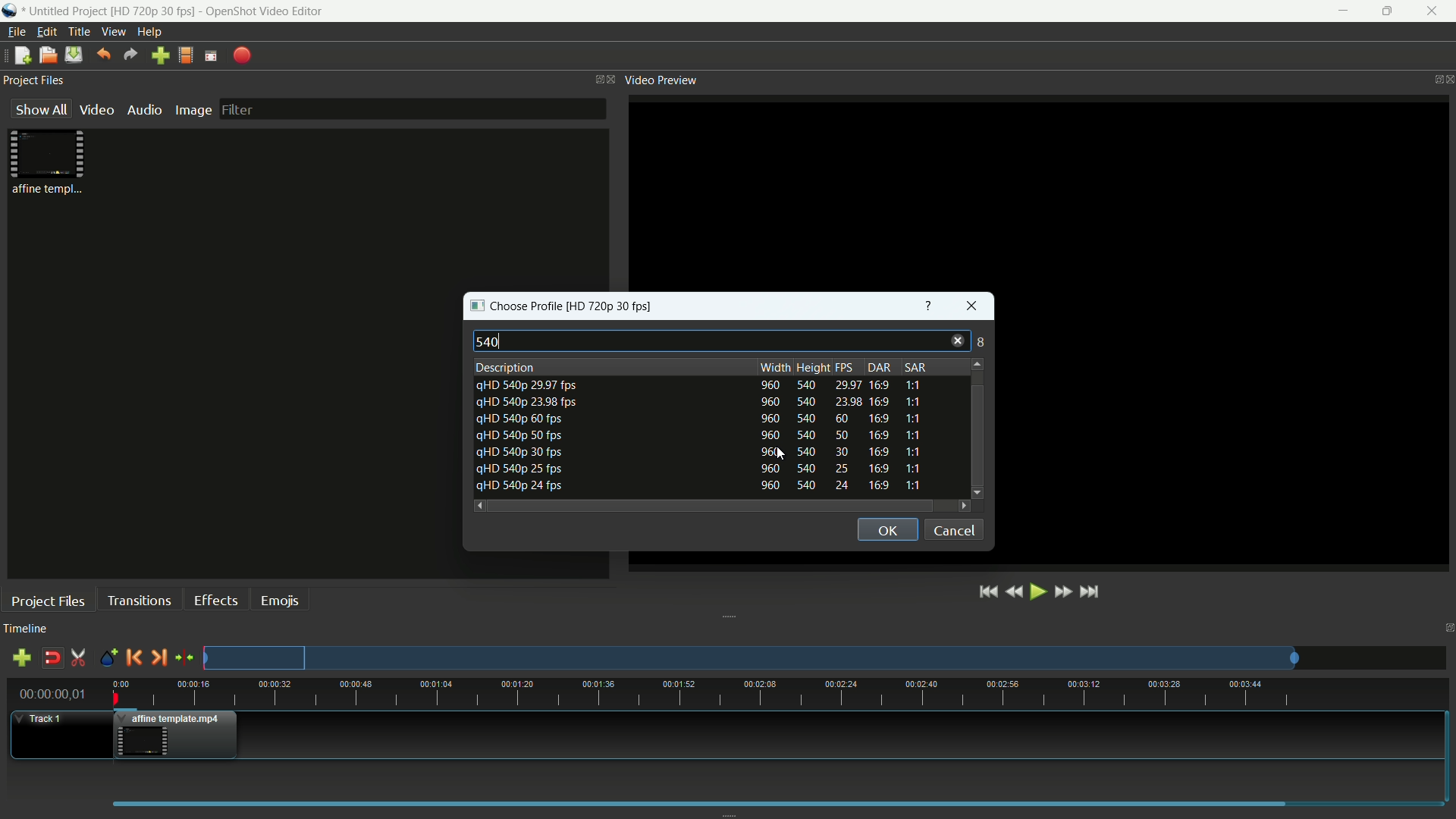  I want to click on video in track, so click(176, 734).